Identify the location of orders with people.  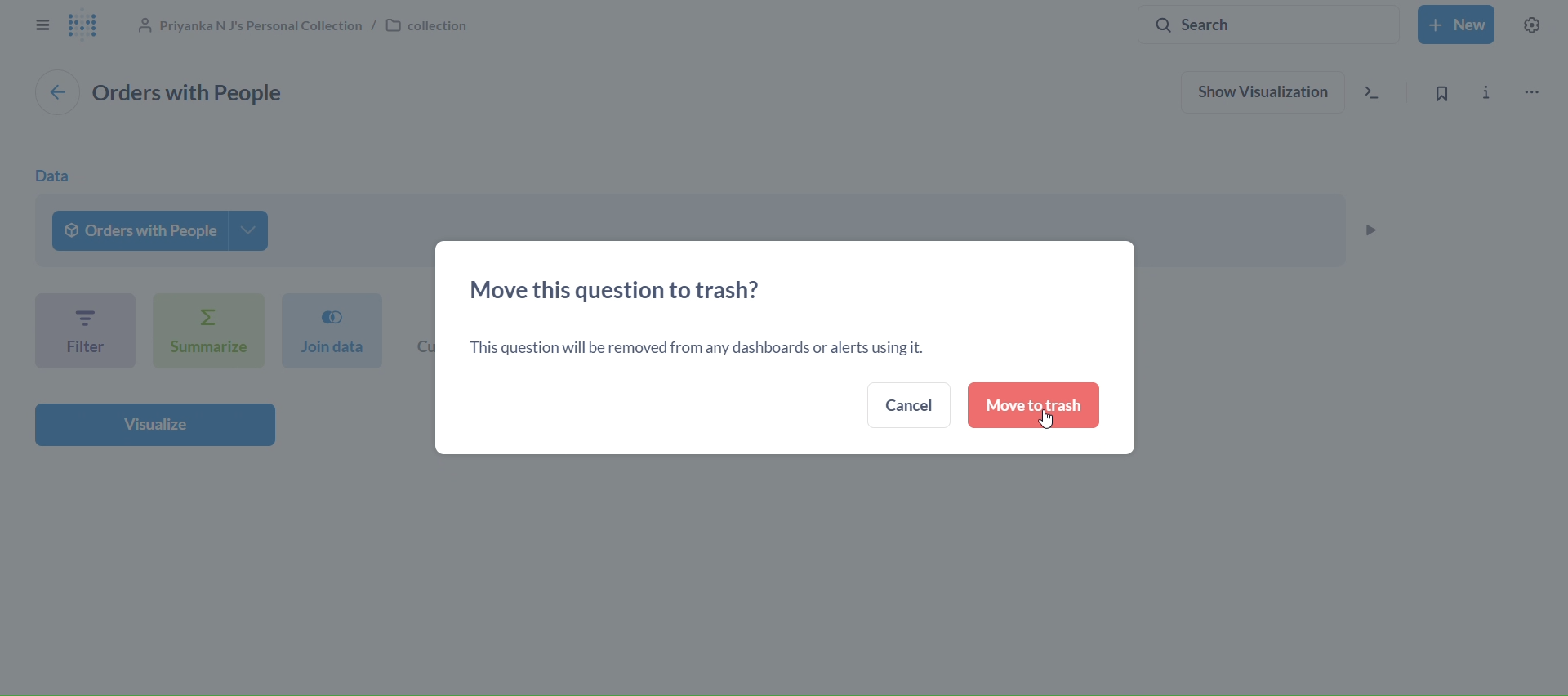
(160, 230).